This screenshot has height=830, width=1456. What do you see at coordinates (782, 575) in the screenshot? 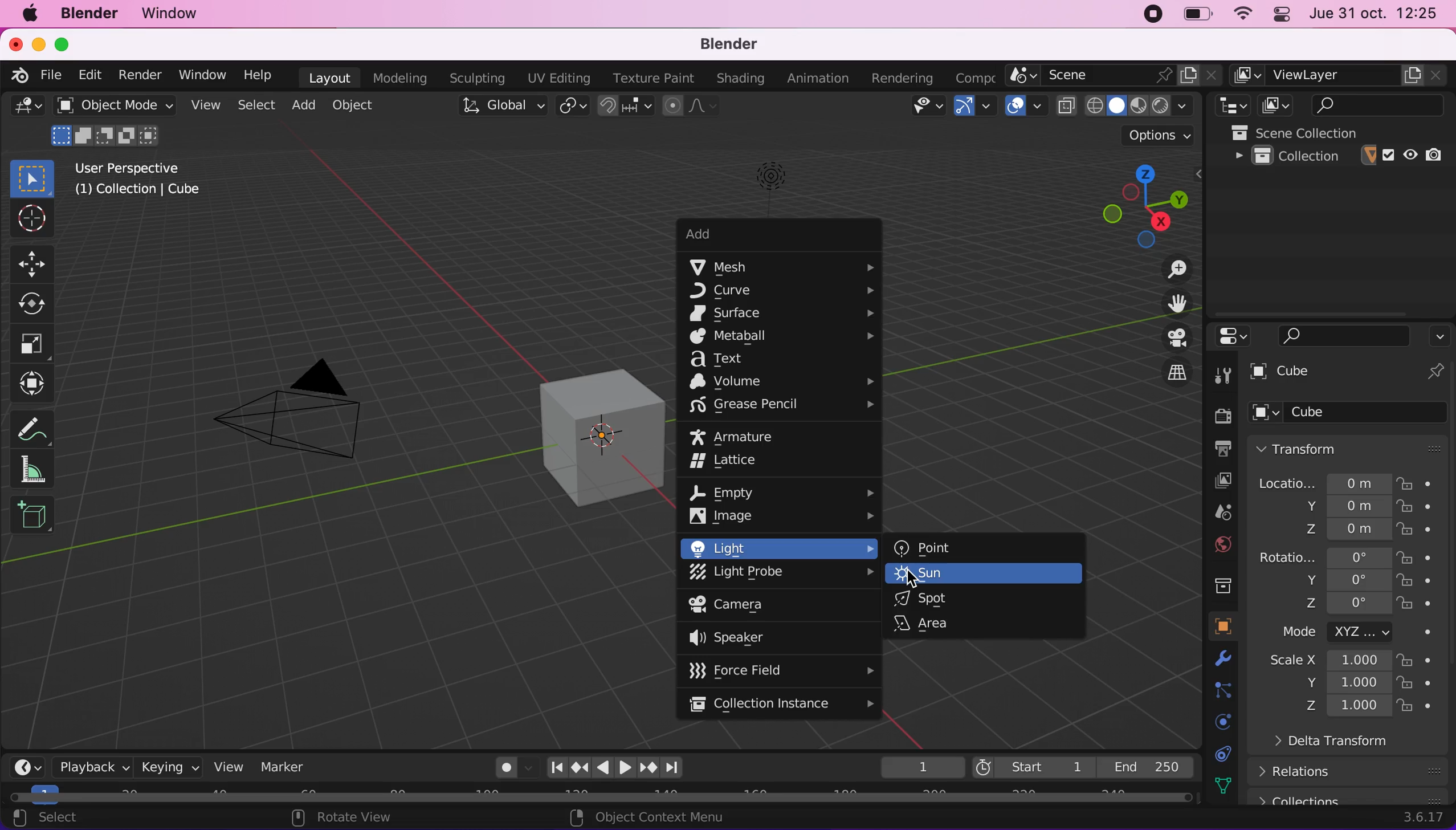
I see `light probe` at bounding box center [782, 575].